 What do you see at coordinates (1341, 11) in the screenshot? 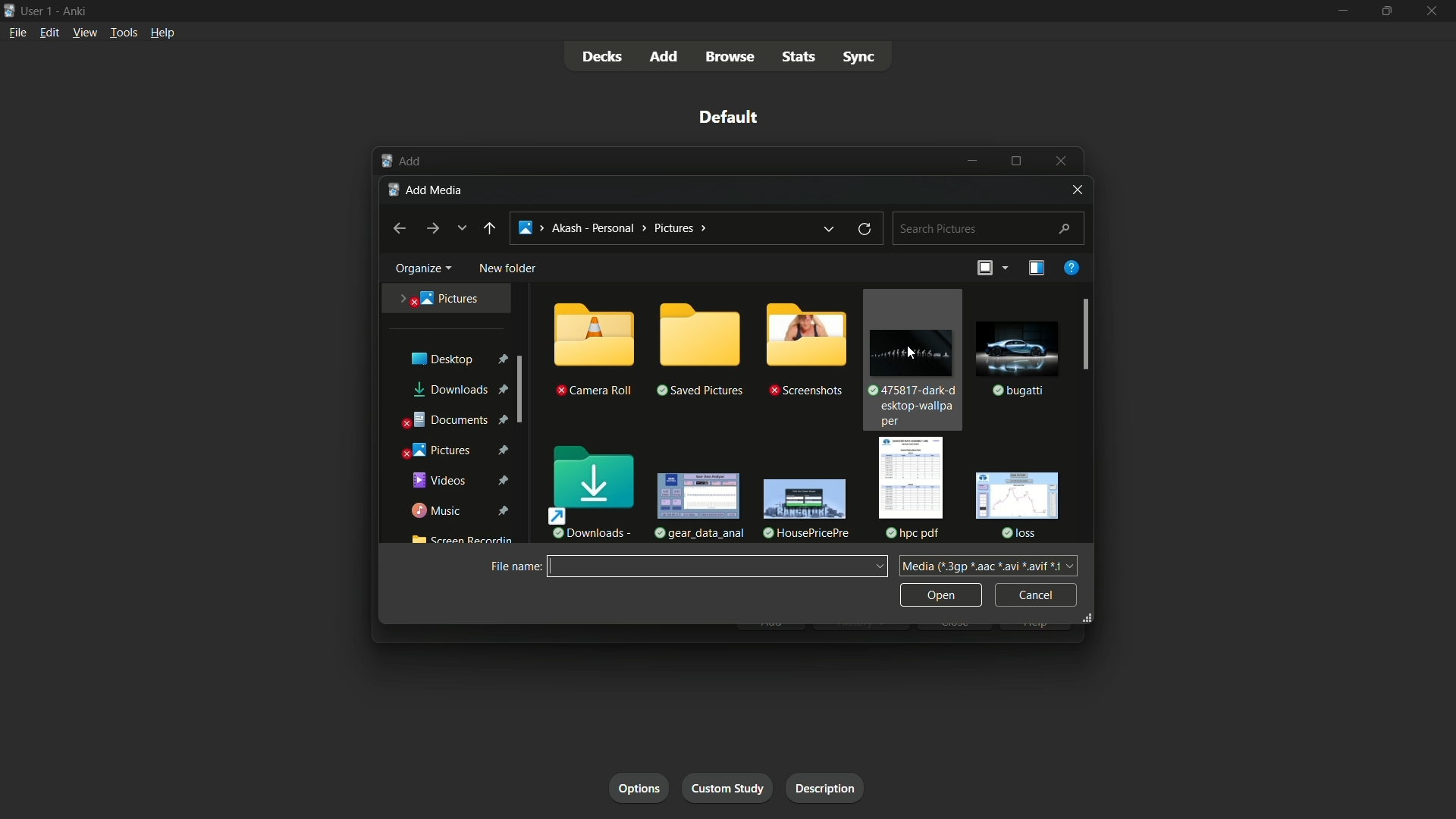
I see `minimize` at bounding box center [1341, 11].